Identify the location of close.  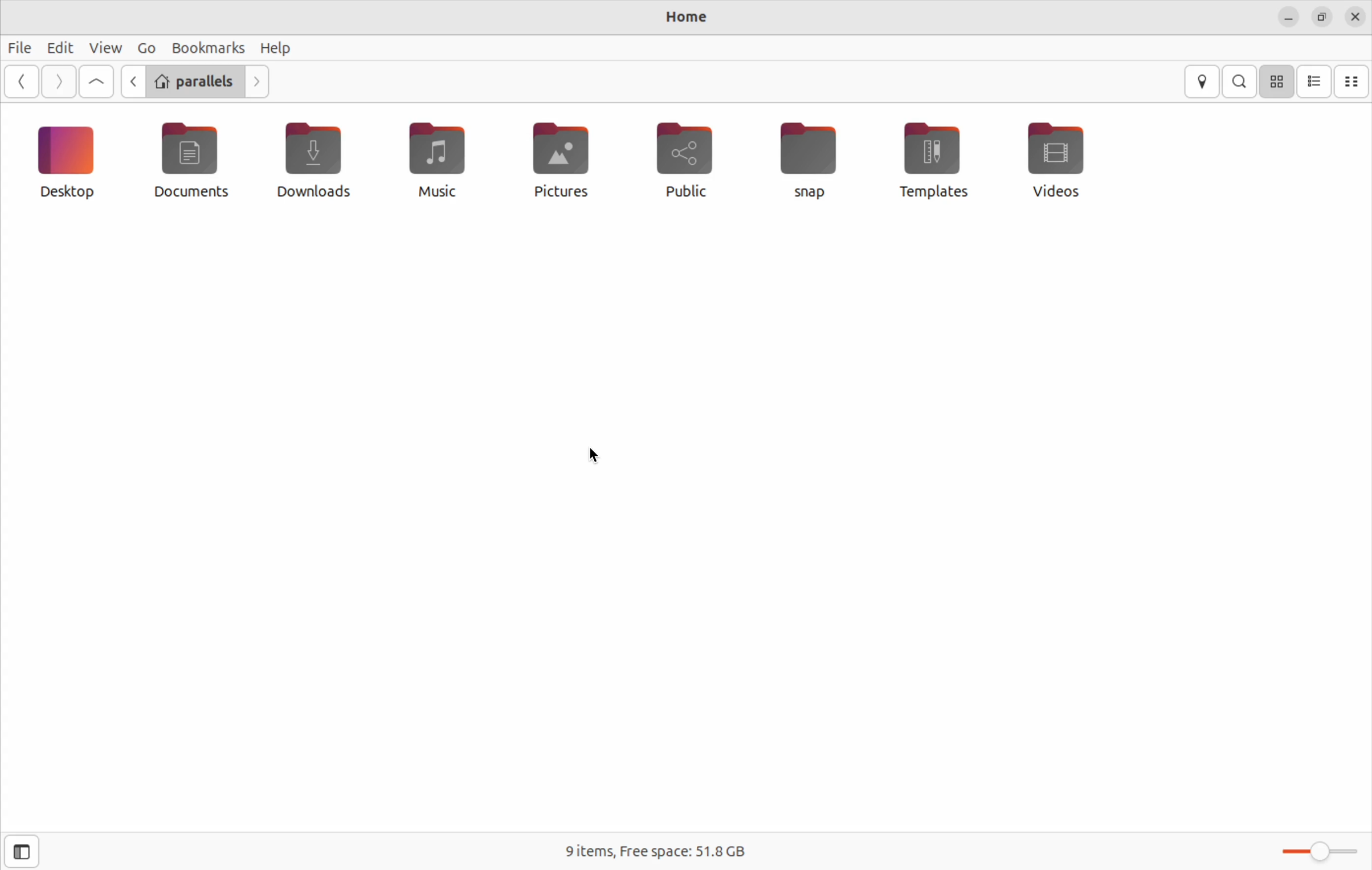
(1353, 17).